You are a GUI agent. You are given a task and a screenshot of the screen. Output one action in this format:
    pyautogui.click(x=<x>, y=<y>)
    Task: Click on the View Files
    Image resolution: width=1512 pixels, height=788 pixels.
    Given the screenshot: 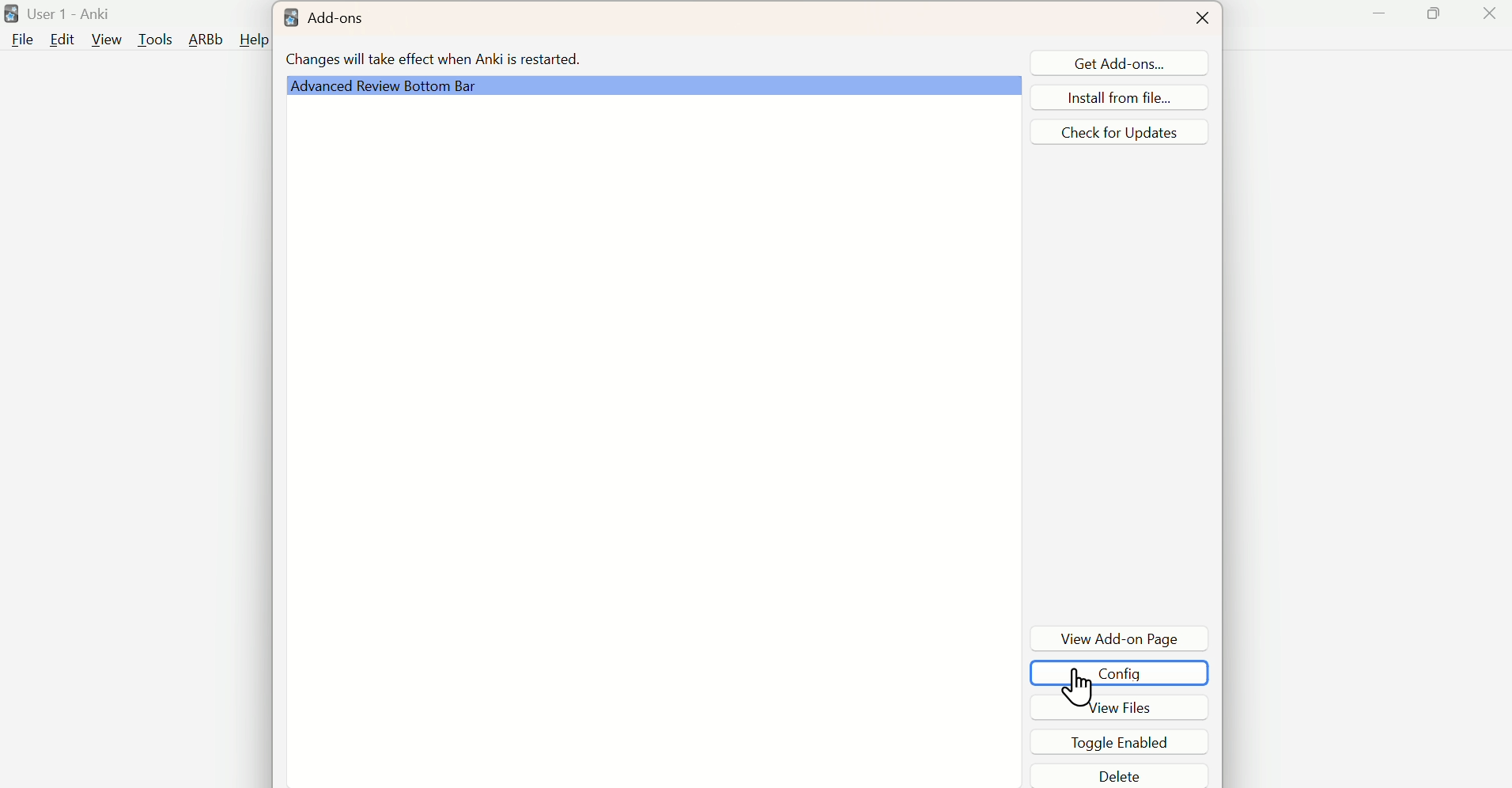 What is the action you would take?
    pyautogui.click(x=1134, y=704)
    